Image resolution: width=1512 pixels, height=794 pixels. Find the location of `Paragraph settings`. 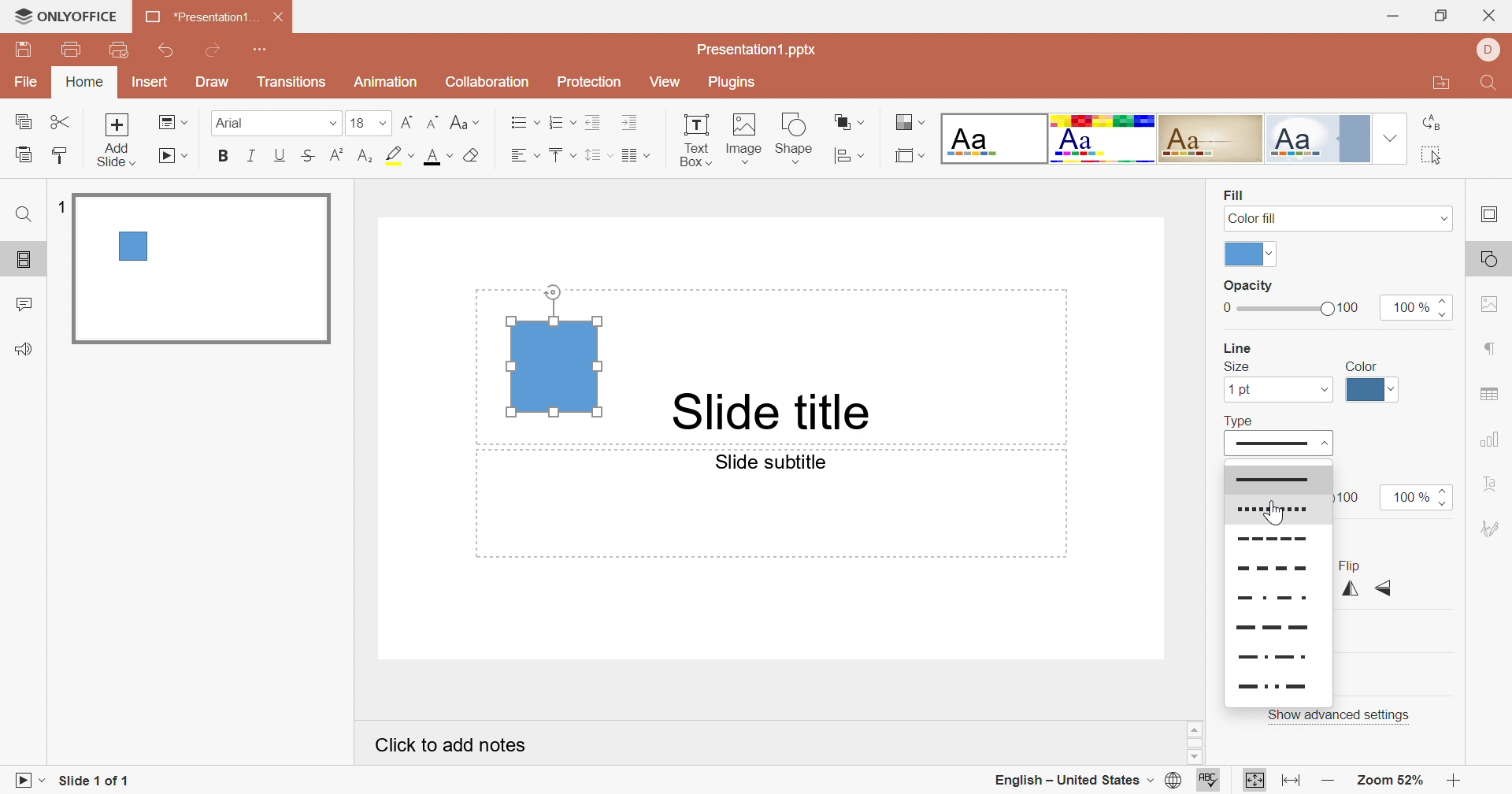

Paragraph settings is located at coordinates (1494, 351).